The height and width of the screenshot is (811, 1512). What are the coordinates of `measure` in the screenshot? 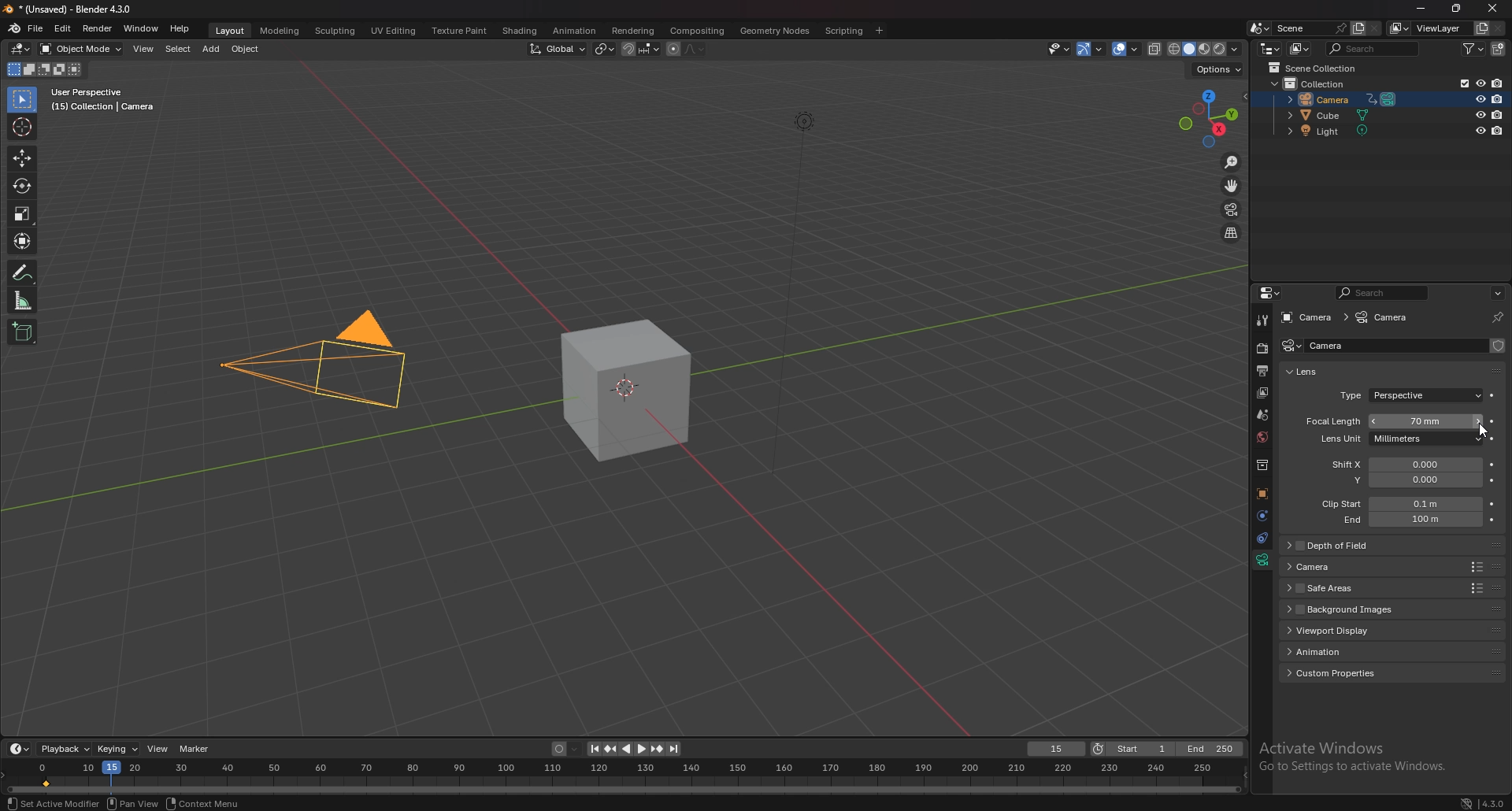 It's located at (24, 299).